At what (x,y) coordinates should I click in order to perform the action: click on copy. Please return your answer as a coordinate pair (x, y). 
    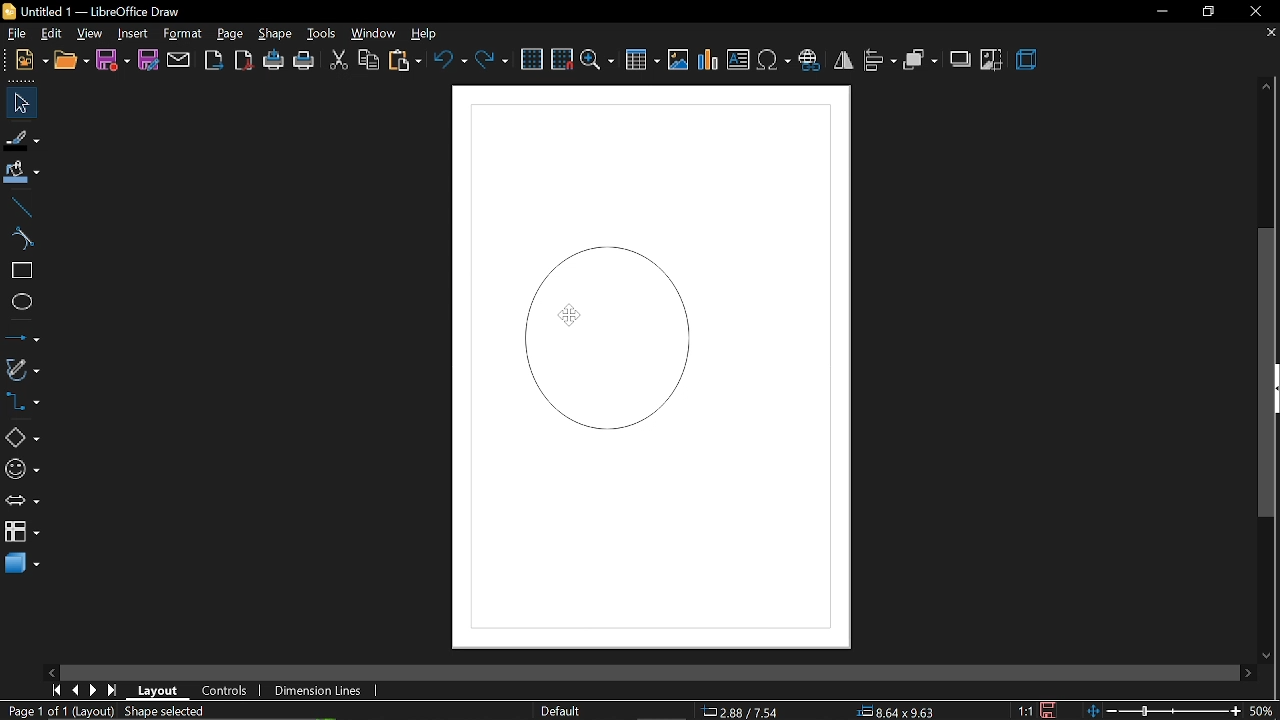
    Looking at the image, I should click on (370, 60).